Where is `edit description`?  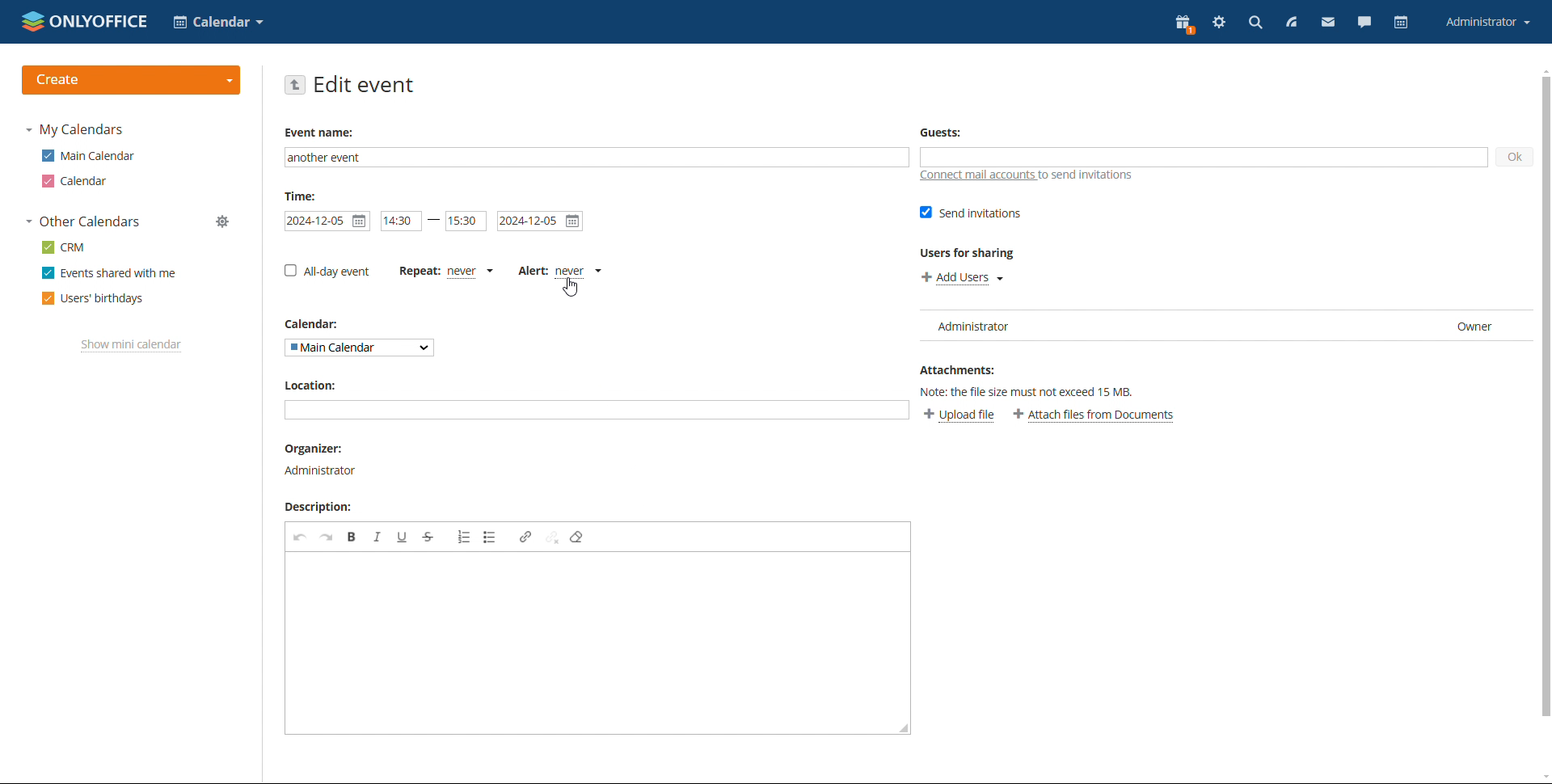
edit description is located at coordinates (597, 643).